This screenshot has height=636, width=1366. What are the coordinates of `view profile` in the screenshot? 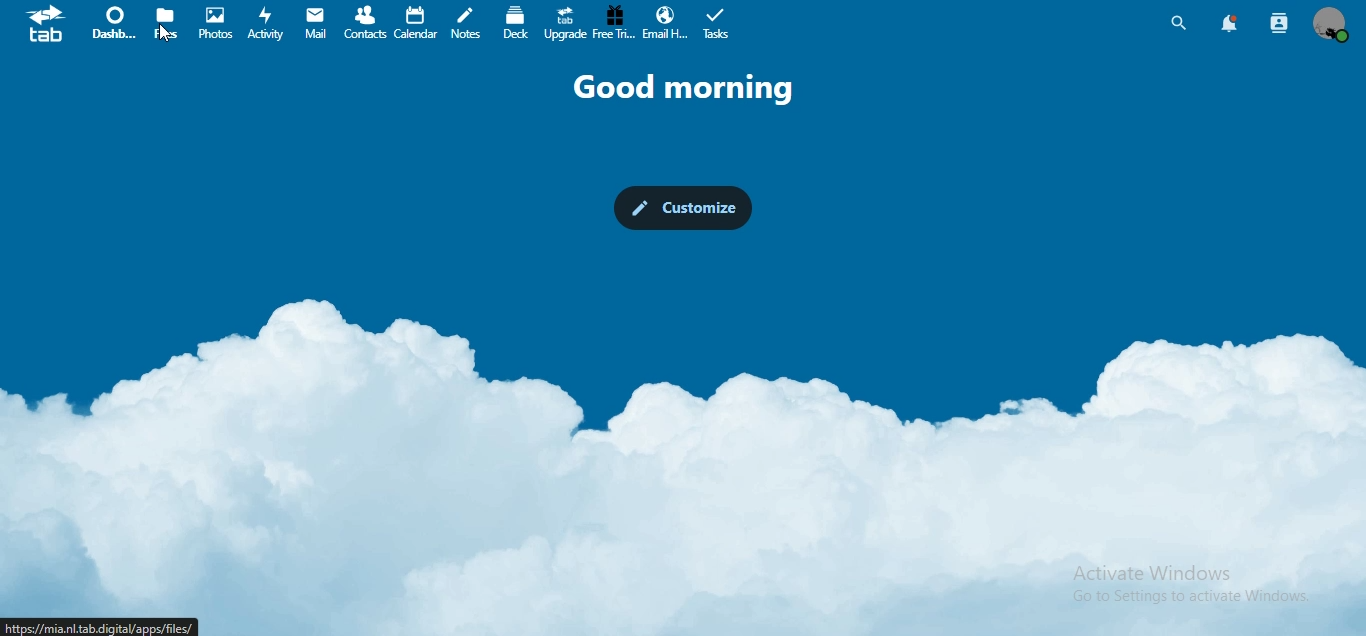 It's located at (1328, 25).